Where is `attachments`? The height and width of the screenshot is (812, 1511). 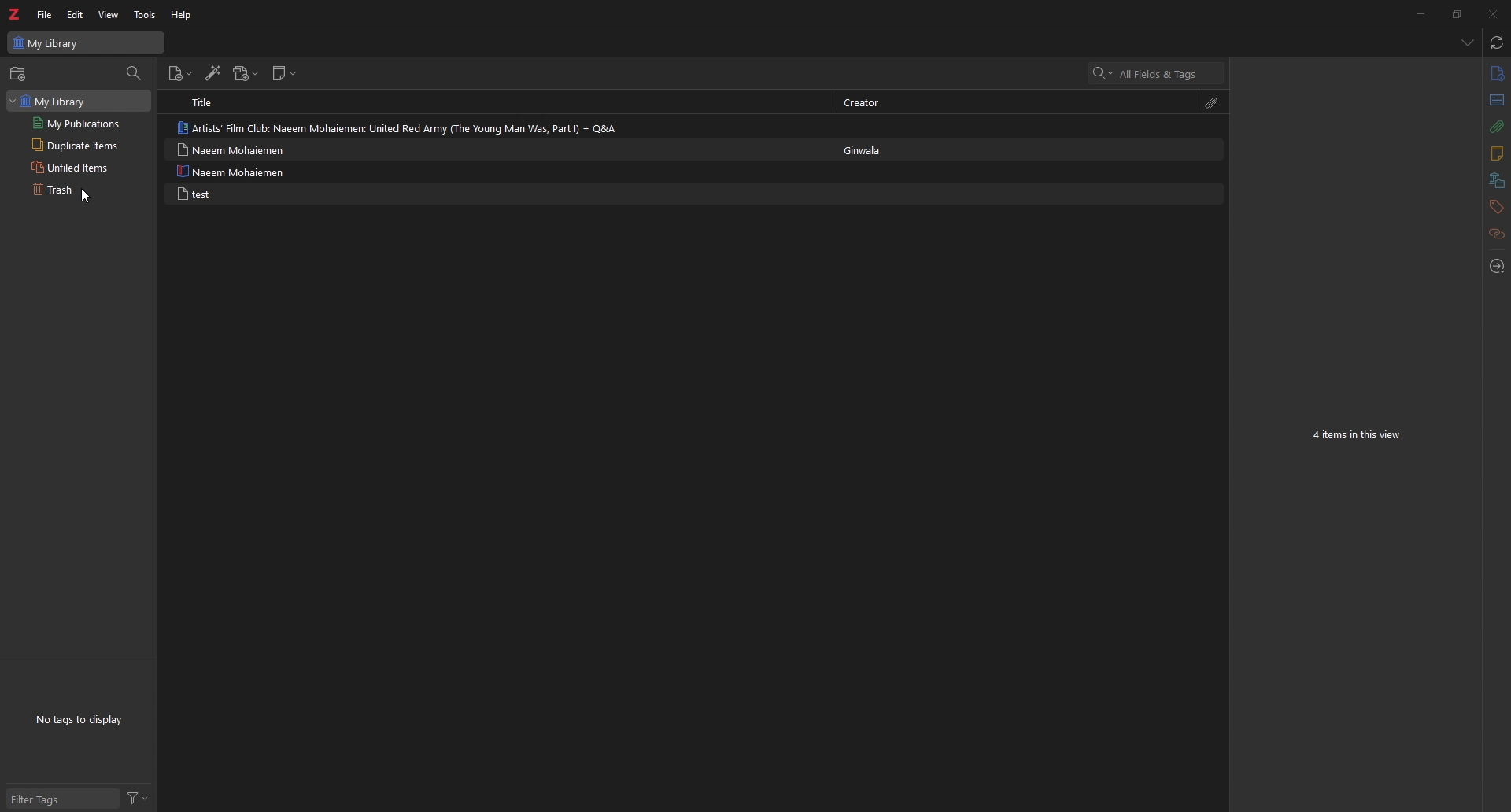
attachments is located at coordinates (1214, 102).